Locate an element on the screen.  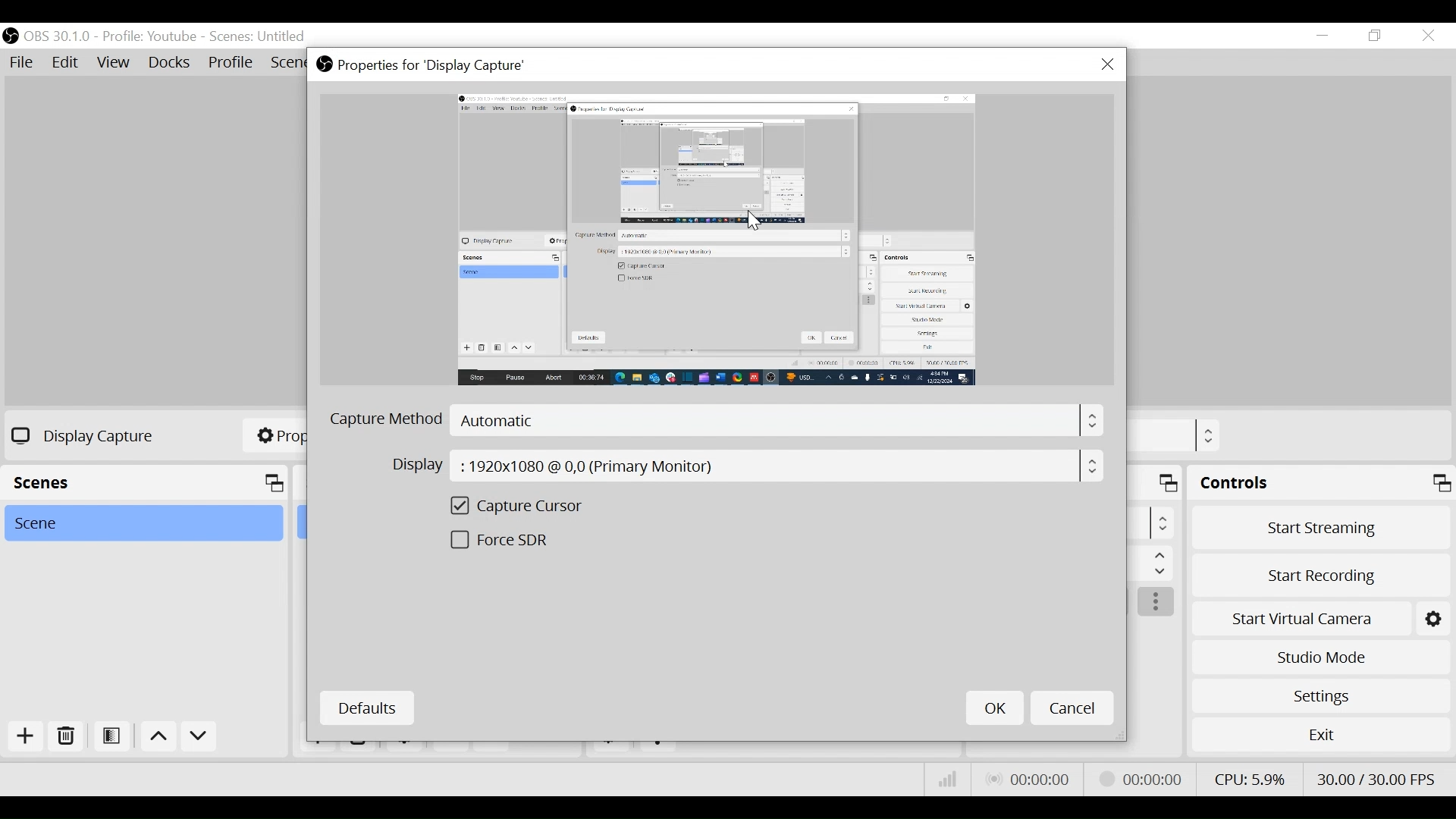
OBS Version is located at coordinates (58, 37).